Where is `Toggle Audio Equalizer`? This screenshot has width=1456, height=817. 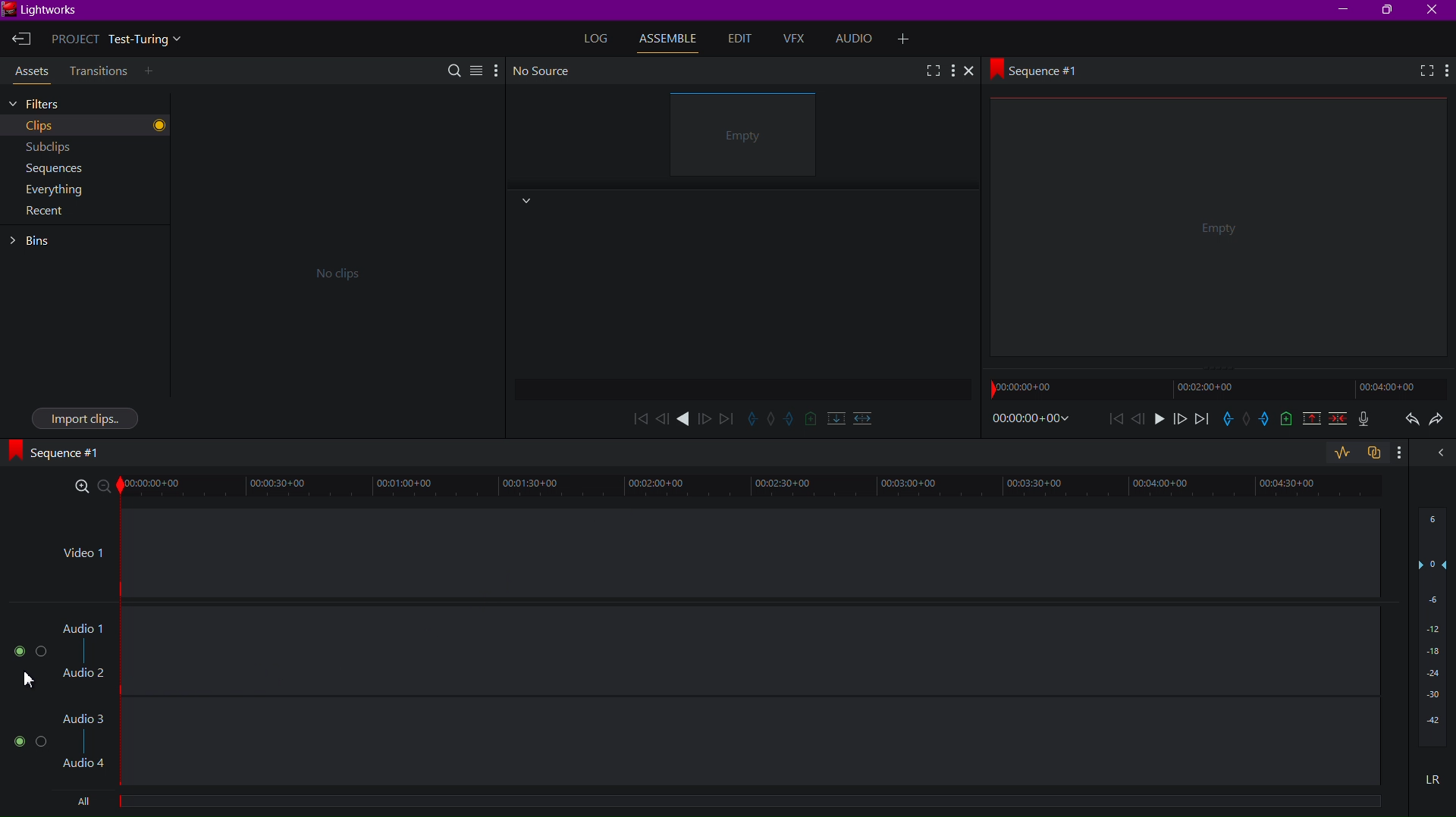 Toggle Audio Equalizer is located at coordinates (1341, 453).